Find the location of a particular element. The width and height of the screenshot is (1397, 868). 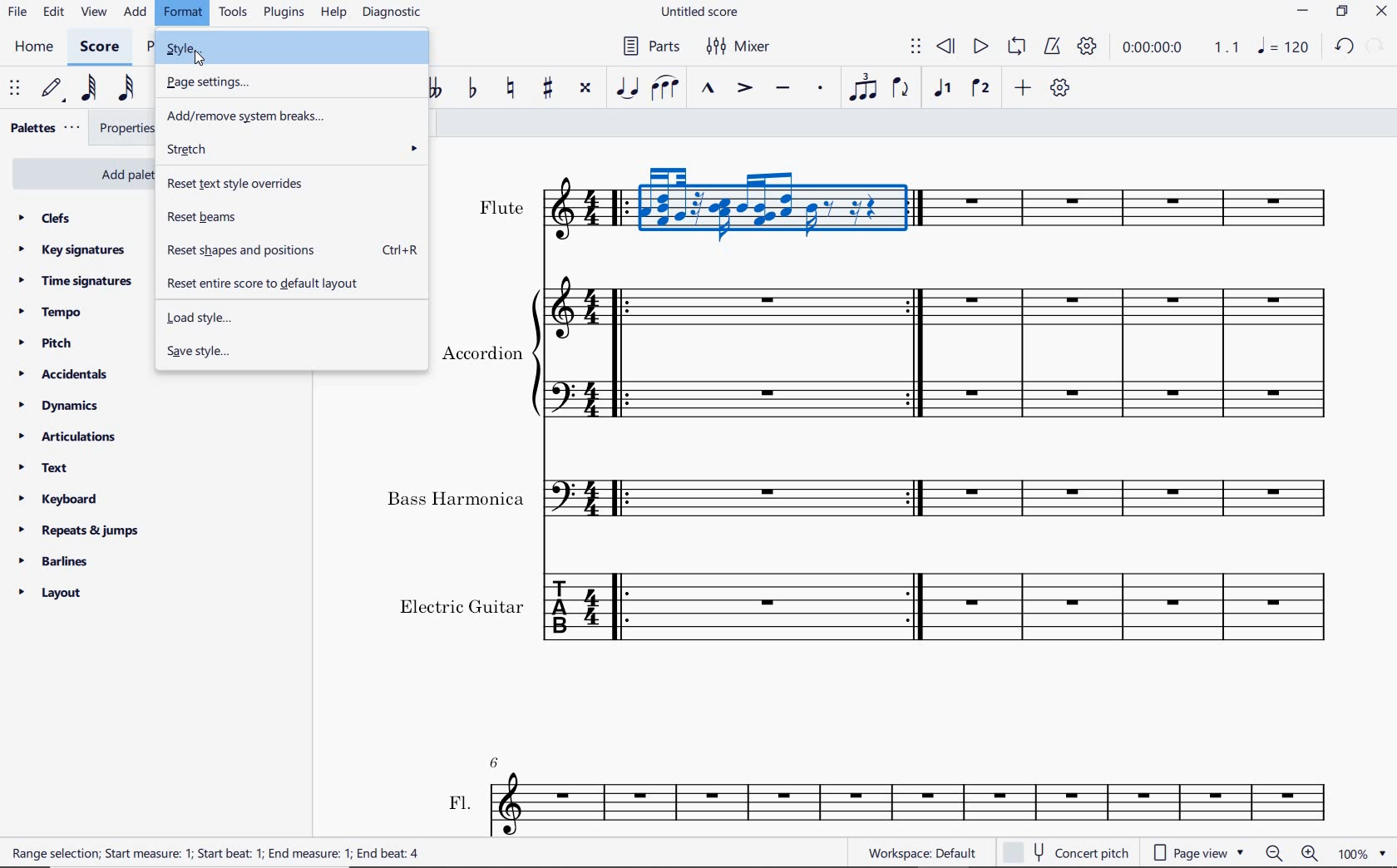

MINIMIZE is located at coordinates (1302, 13).